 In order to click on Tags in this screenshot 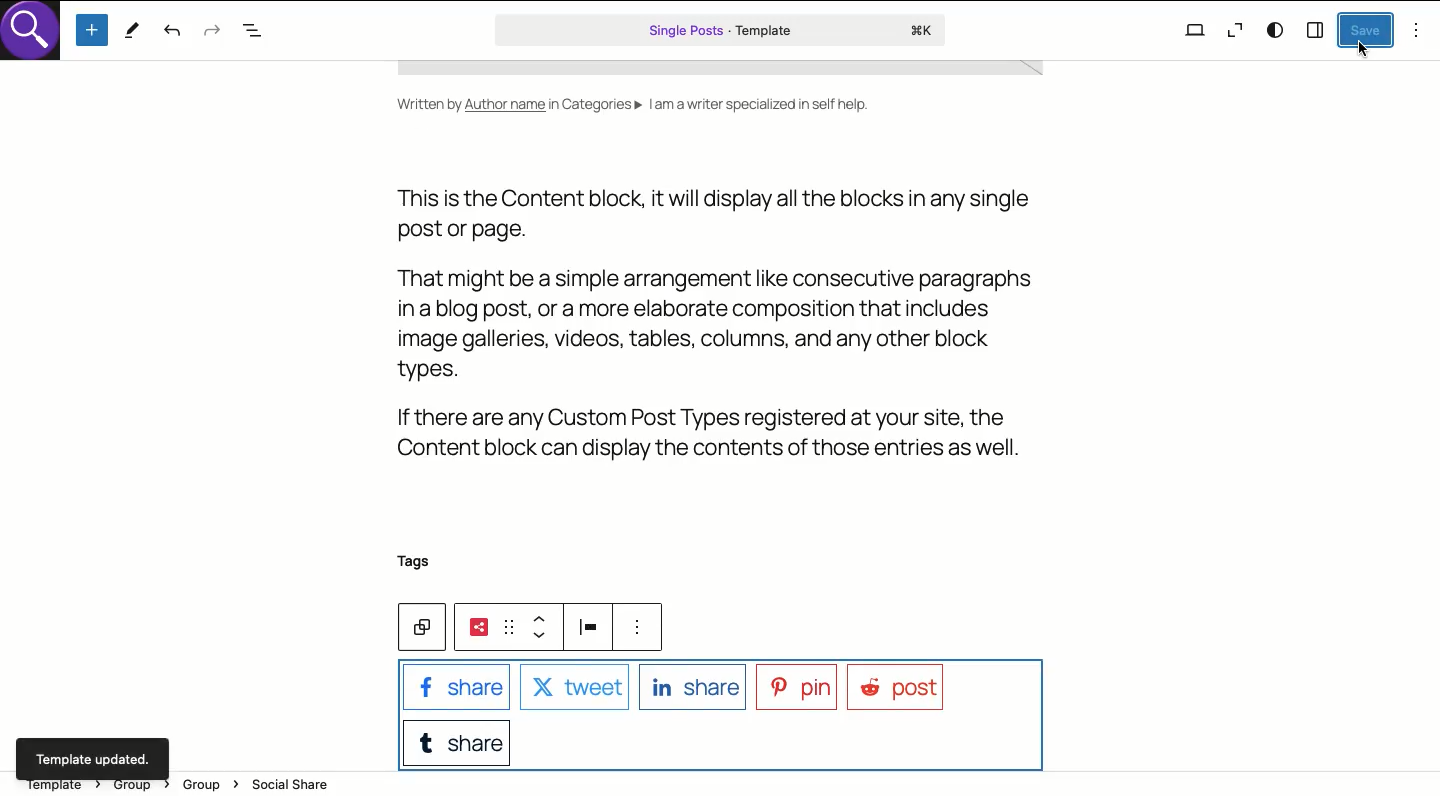, I will do `click(413, 563)`.